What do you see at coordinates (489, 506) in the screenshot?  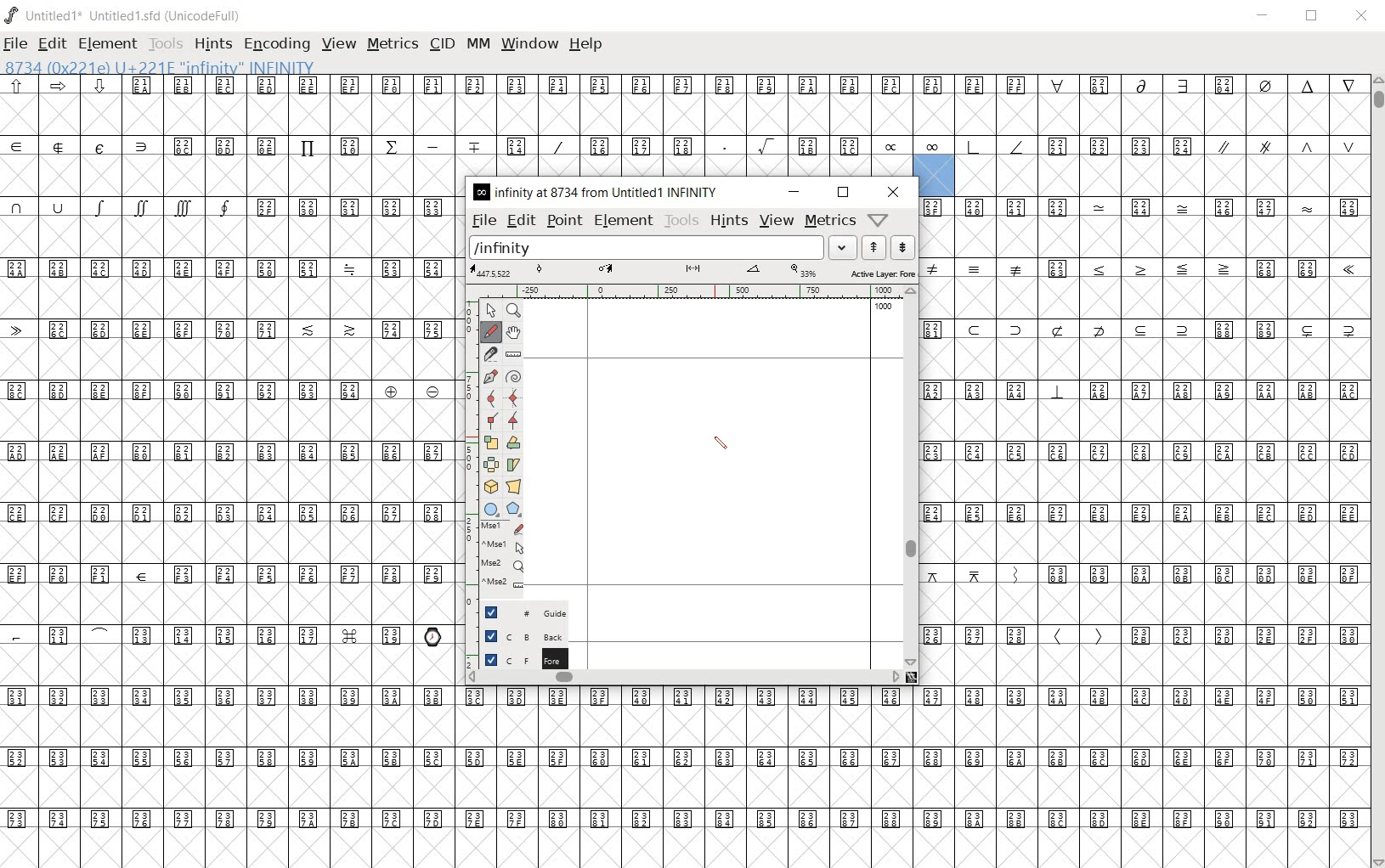 I see `rectangle or ellipse` at bounding box center [489, 506].